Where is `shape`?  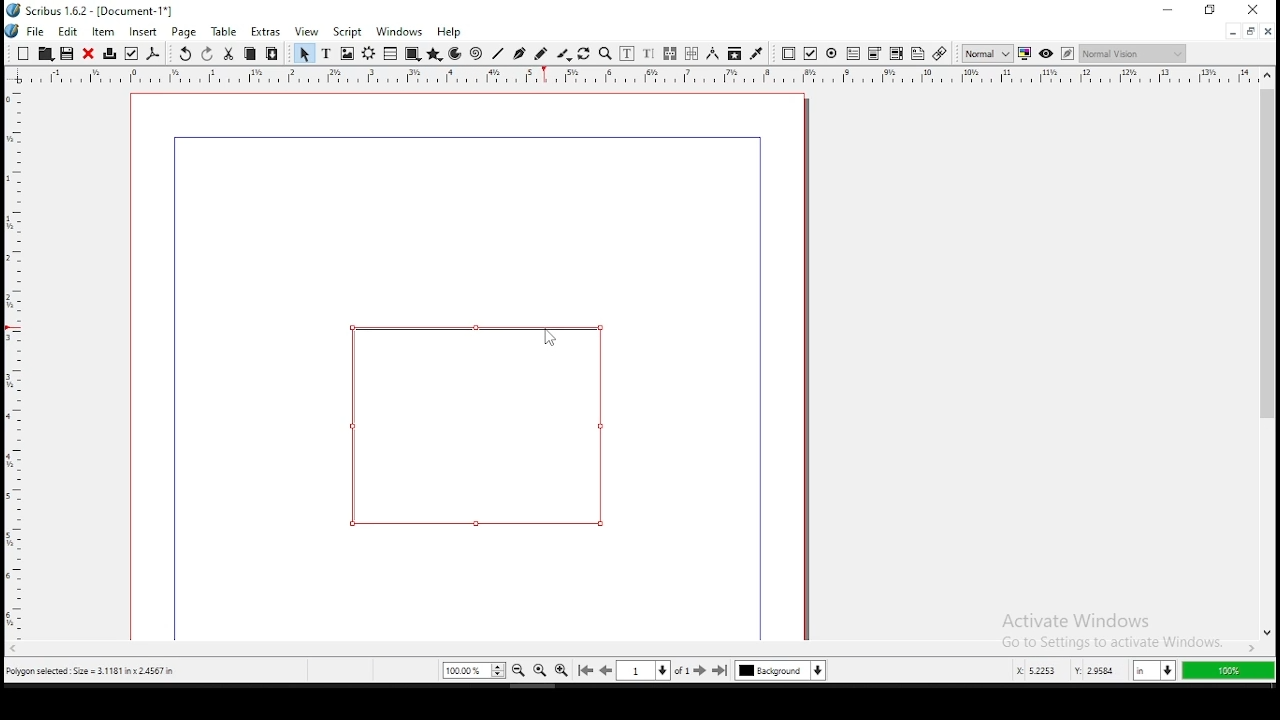 shape is located at coordinates (476, 426).